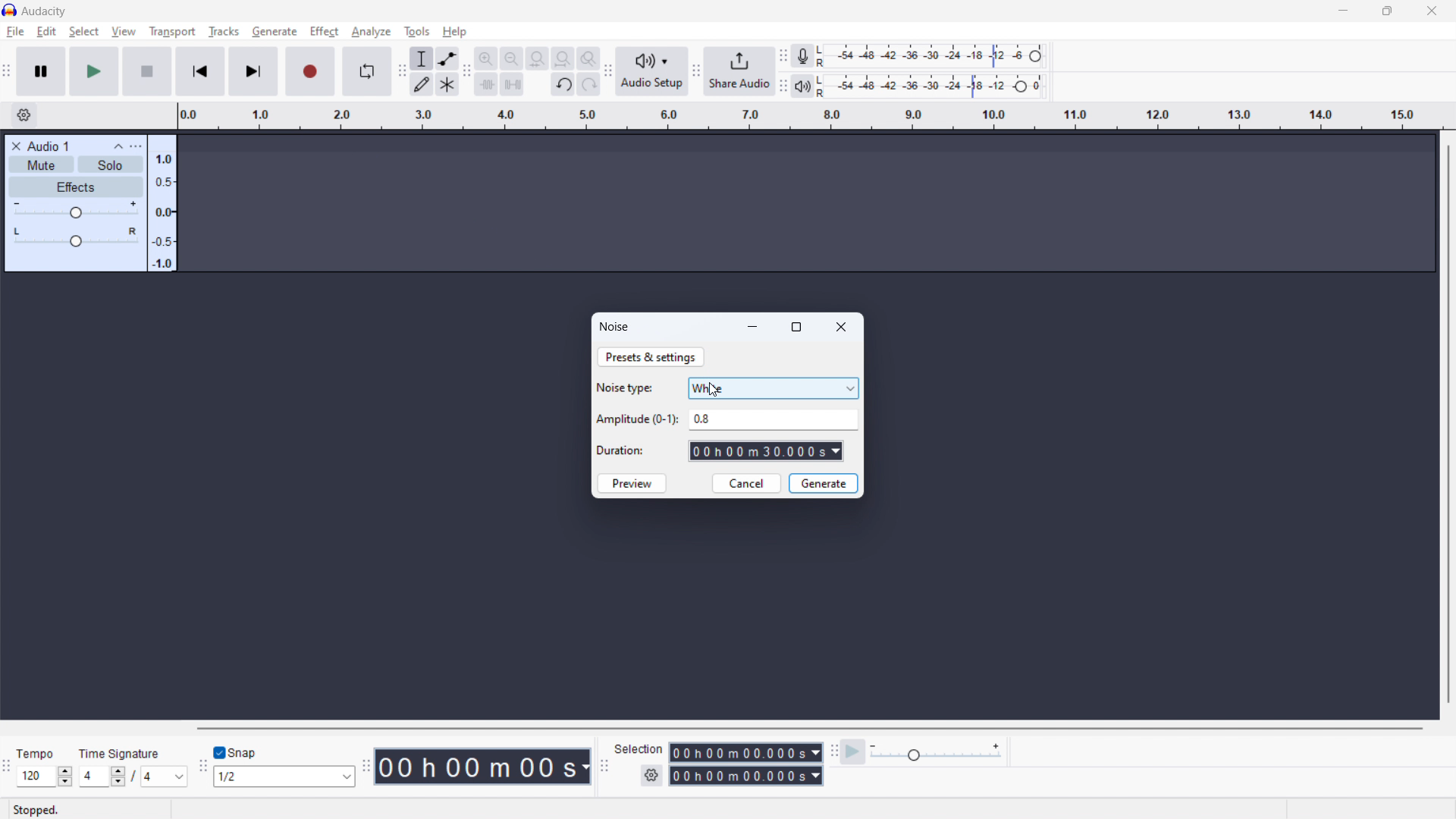  What do you see at coordinates (588, 58) in the screenshot?
I see `toggle zoom` at bounding box center [588, 58].